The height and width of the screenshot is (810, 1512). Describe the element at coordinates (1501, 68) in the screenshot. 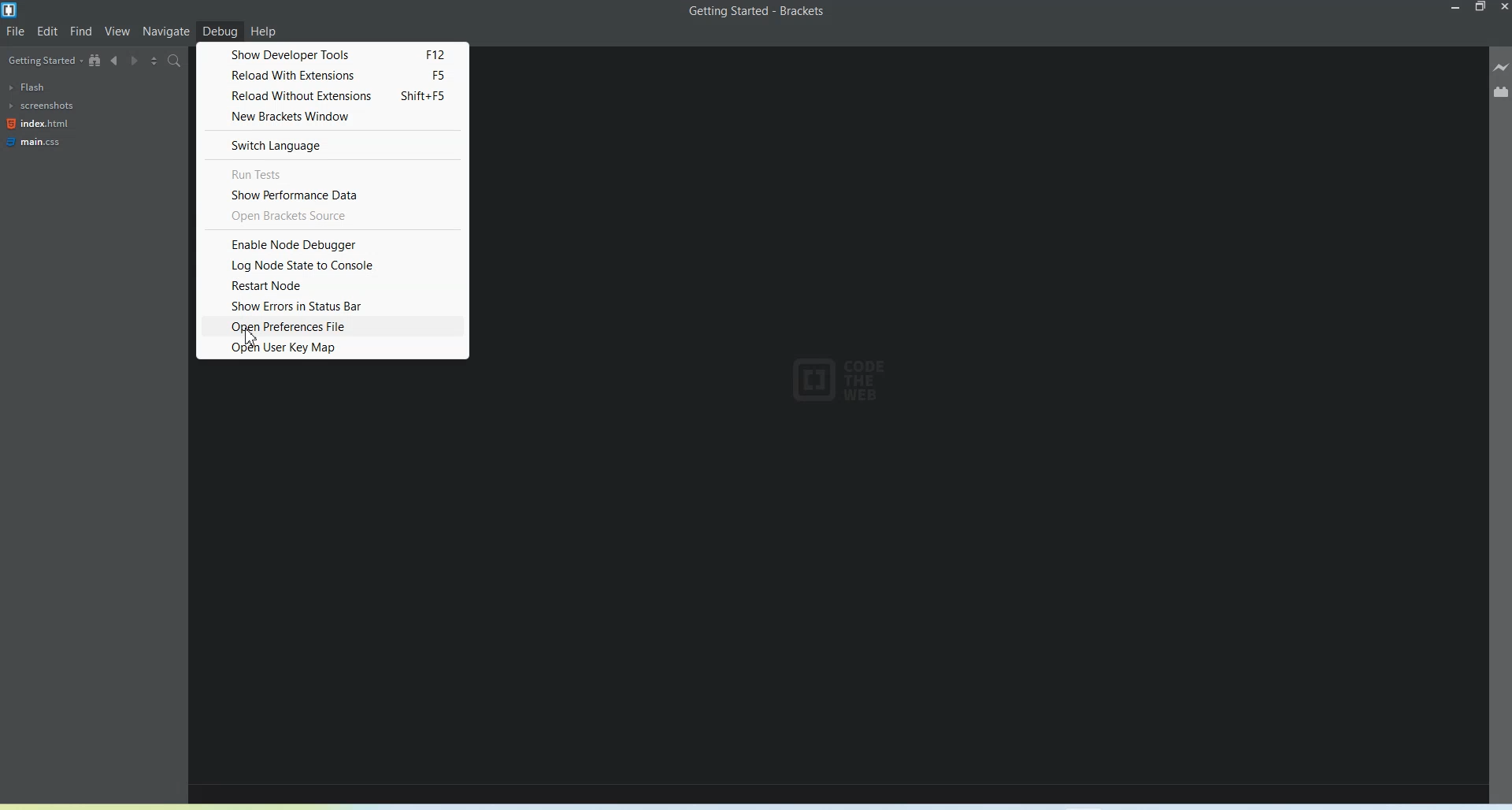

I see `Live Preview` at that location.